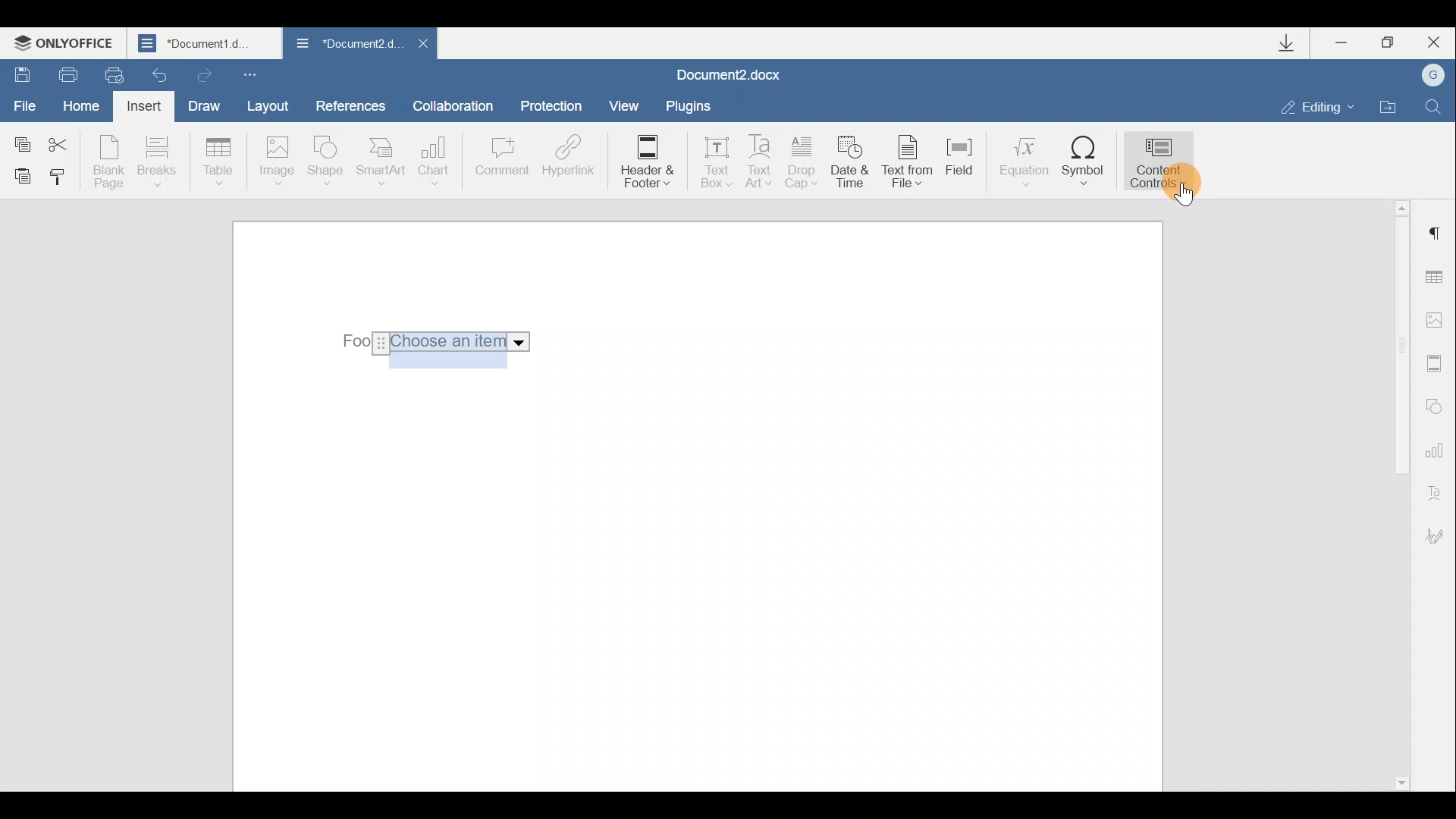 The width and height of the screenshot is (1456, 819). What do you see at coordinates (17, 175) in the screenshot?
I see `Paste` at bounding box center [17, 175].